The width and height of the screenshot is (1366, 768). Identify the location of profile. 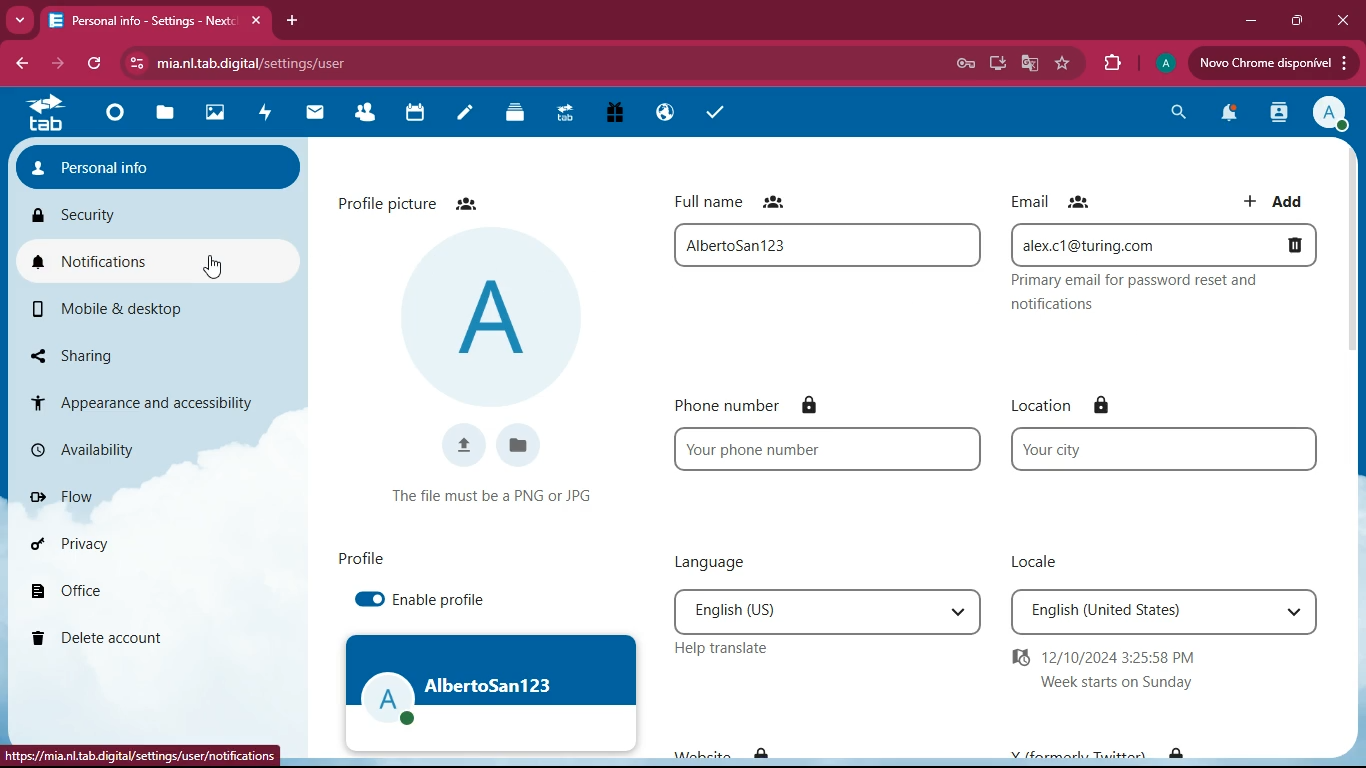
(1163, 66).